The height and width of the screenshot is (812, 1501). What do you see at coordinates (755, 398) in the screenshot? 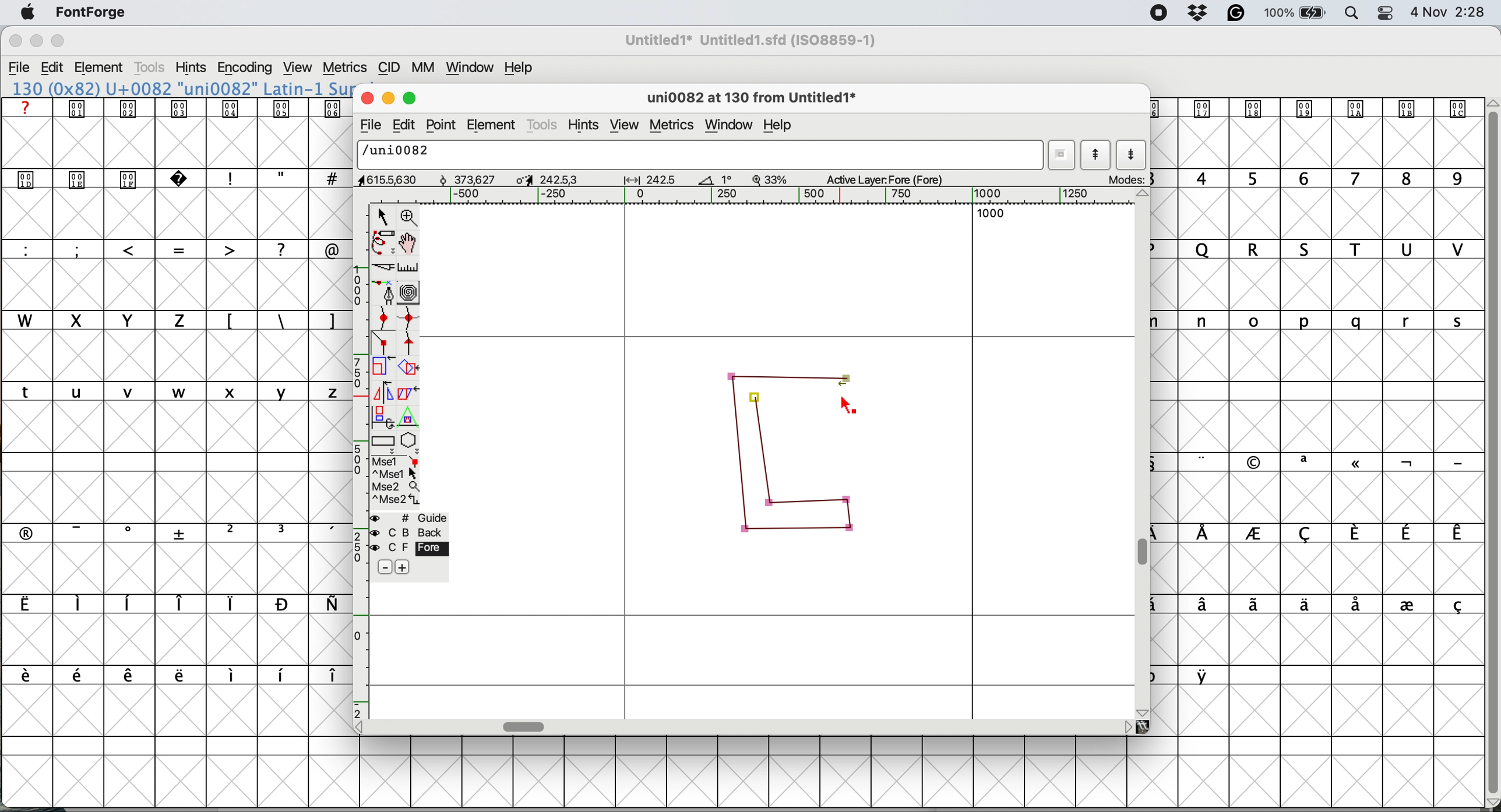
I see `corner point` at bounding box center [755, 398].